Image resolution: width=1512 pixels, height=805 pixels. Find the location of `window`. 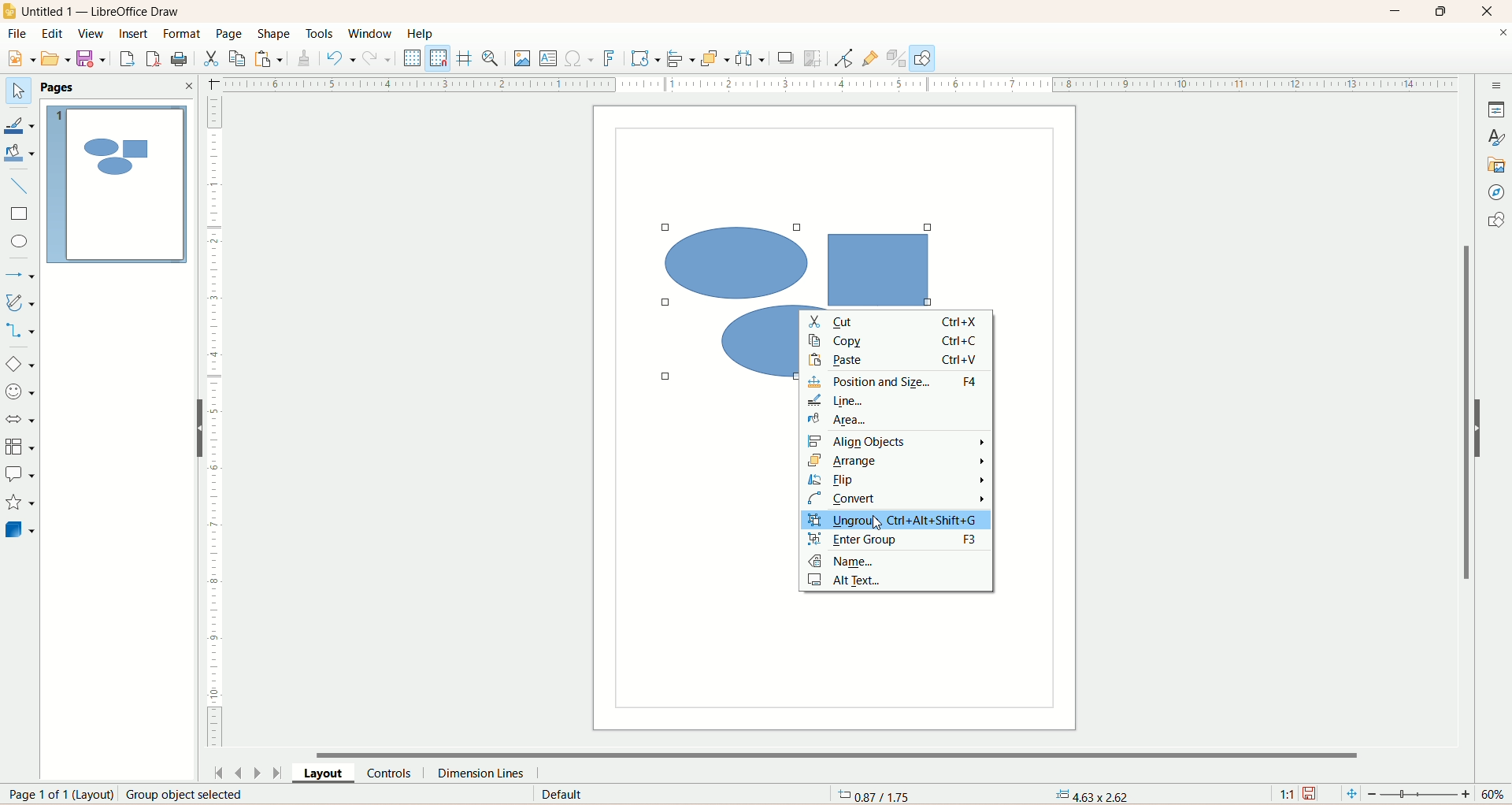

window is located at coordinates (370, 35).